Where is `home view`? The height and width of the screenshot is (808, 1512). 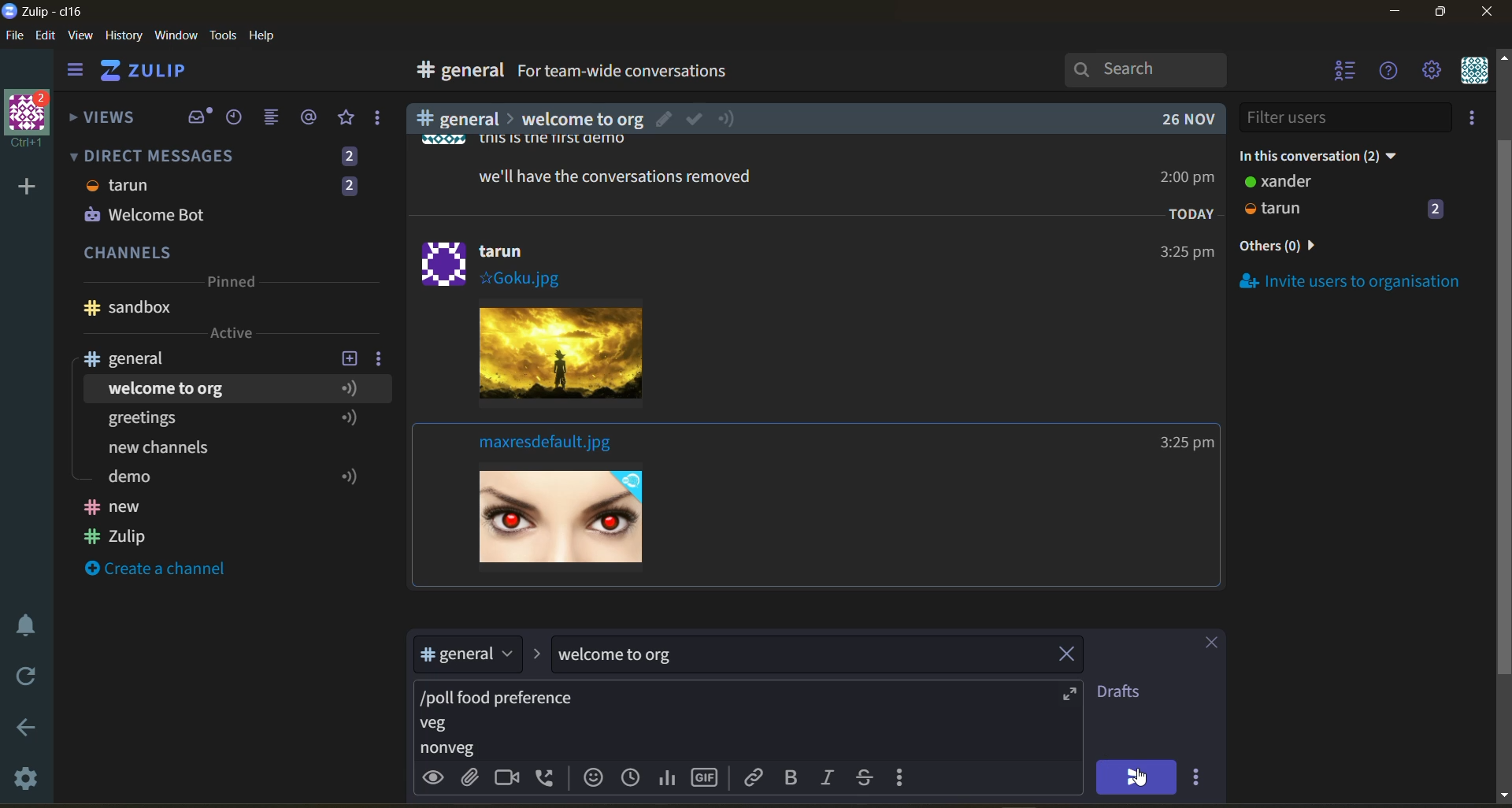 home view is located at coordinates (154, 75).